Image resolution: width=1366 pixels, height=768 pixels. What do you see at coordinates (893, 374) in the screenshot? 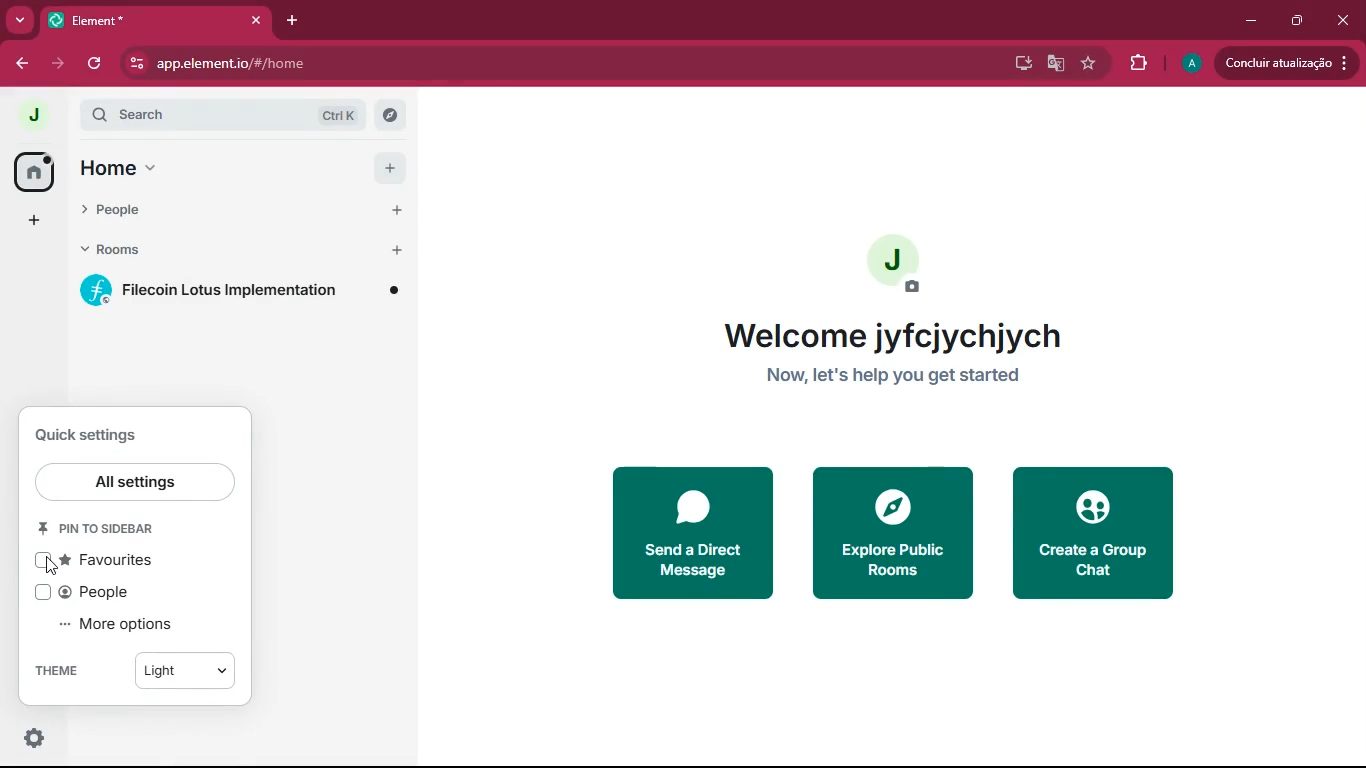
I see `Now, let's help you get started` at bounding box center [893, 374].